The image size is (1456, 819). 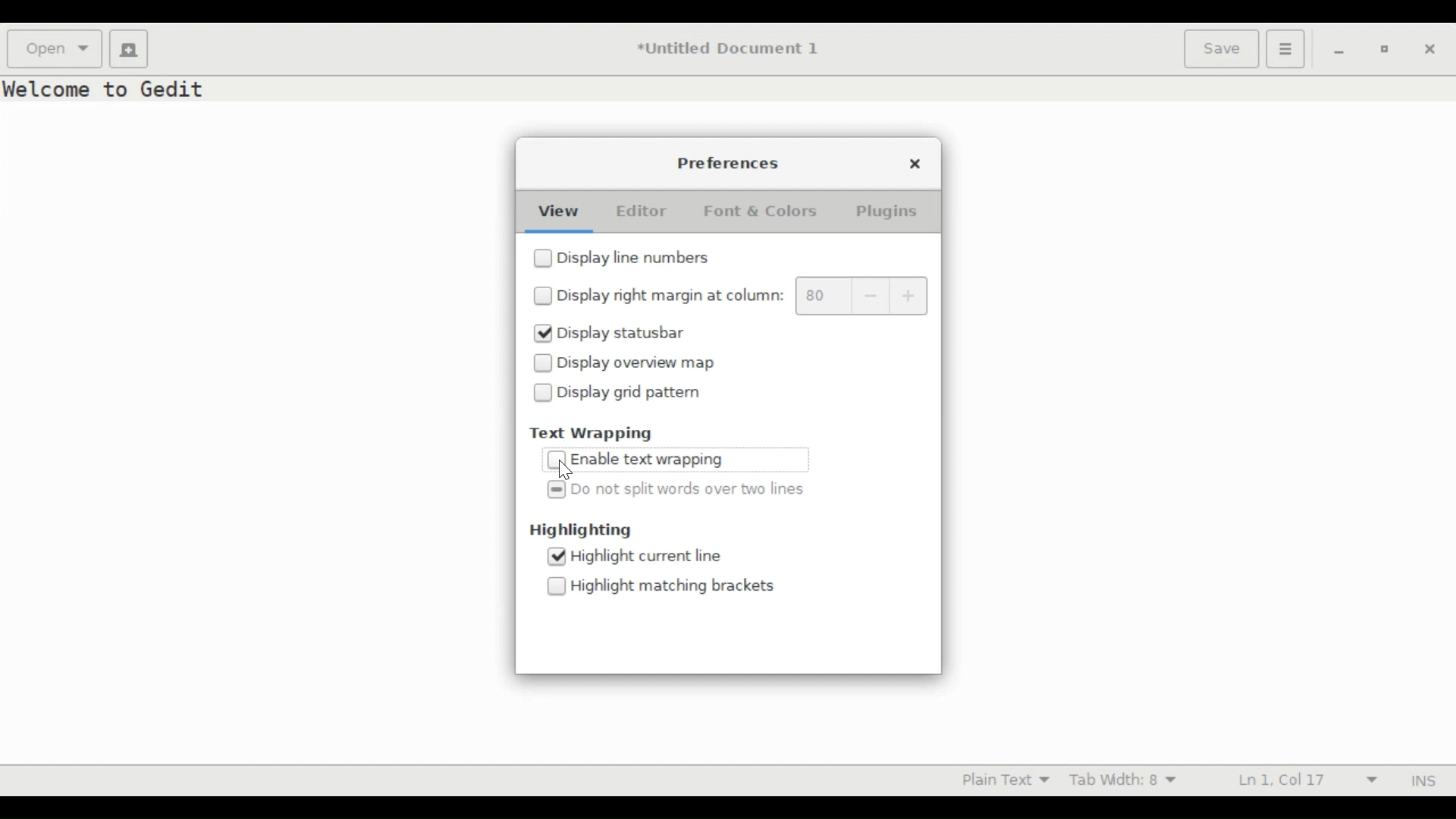 What do you see at coordinates (1123, 781) in the screenshot?
I see `Tab Width` at bounding box center [1123, 781].